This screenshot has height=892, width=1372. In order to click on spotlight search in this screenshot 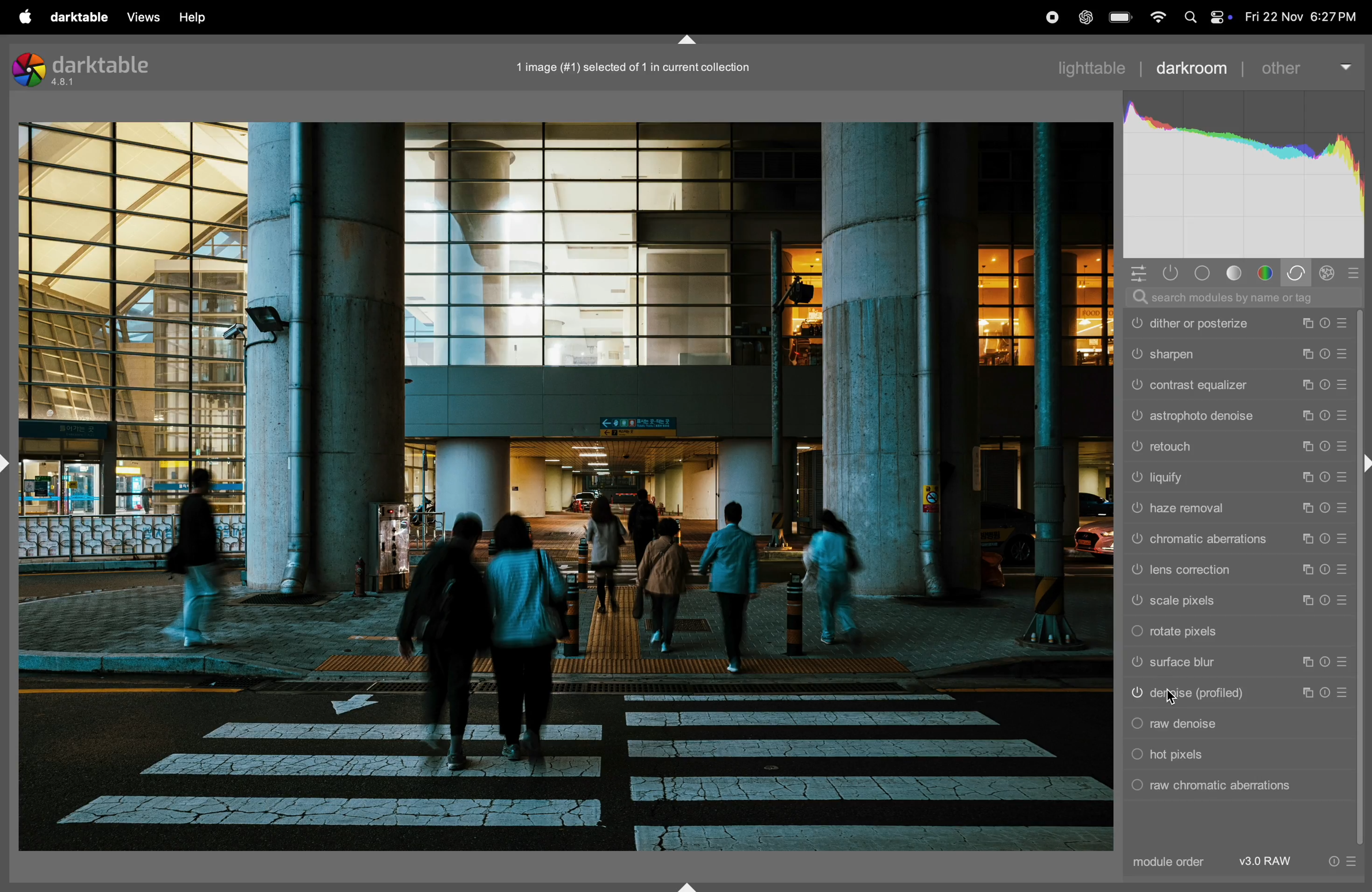, I will do `click(1190, 20)`.